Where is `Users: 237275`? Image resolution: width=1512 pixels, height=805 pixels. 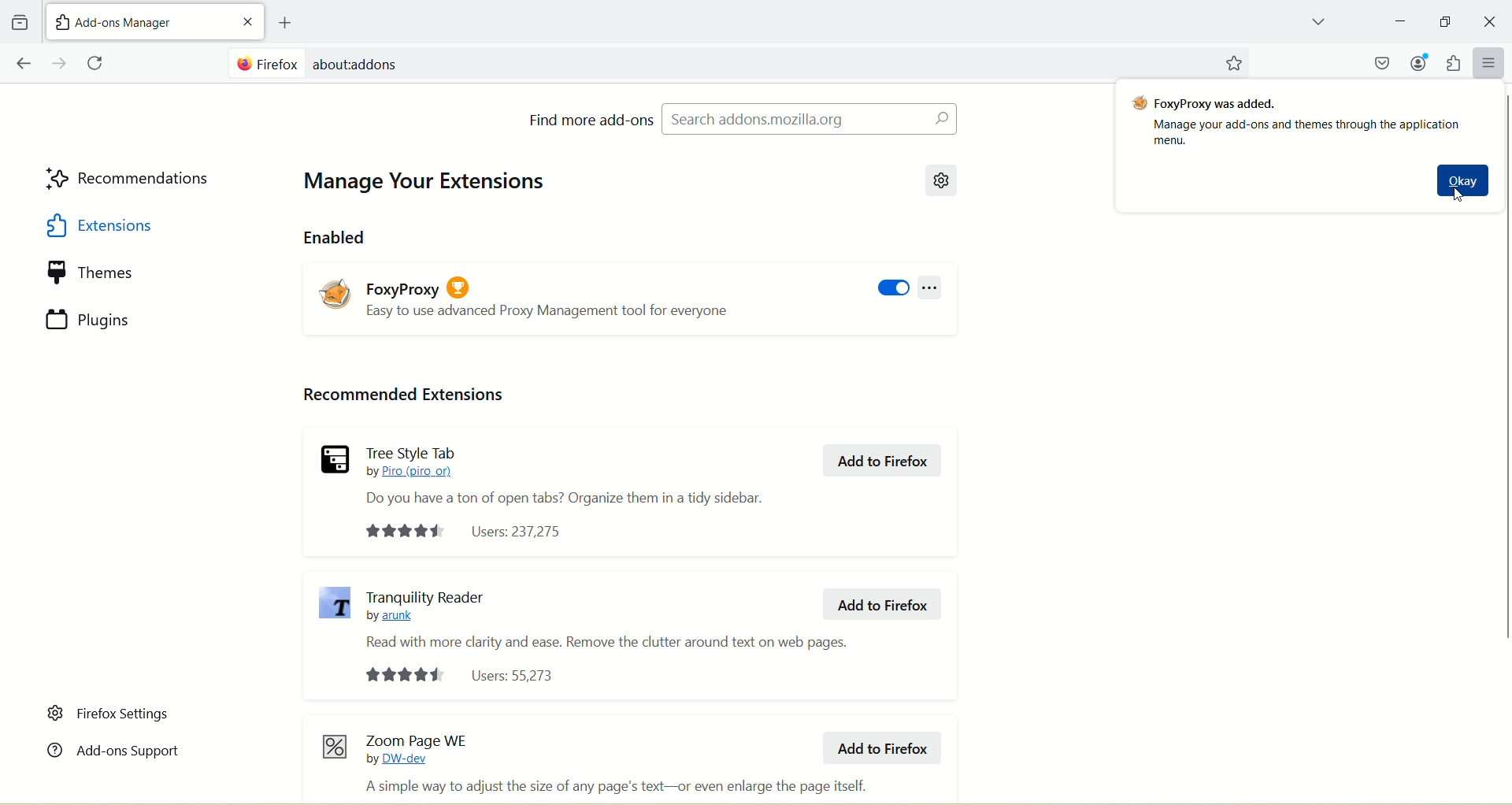
Users: 237275 is located at coordinates (468, 532).